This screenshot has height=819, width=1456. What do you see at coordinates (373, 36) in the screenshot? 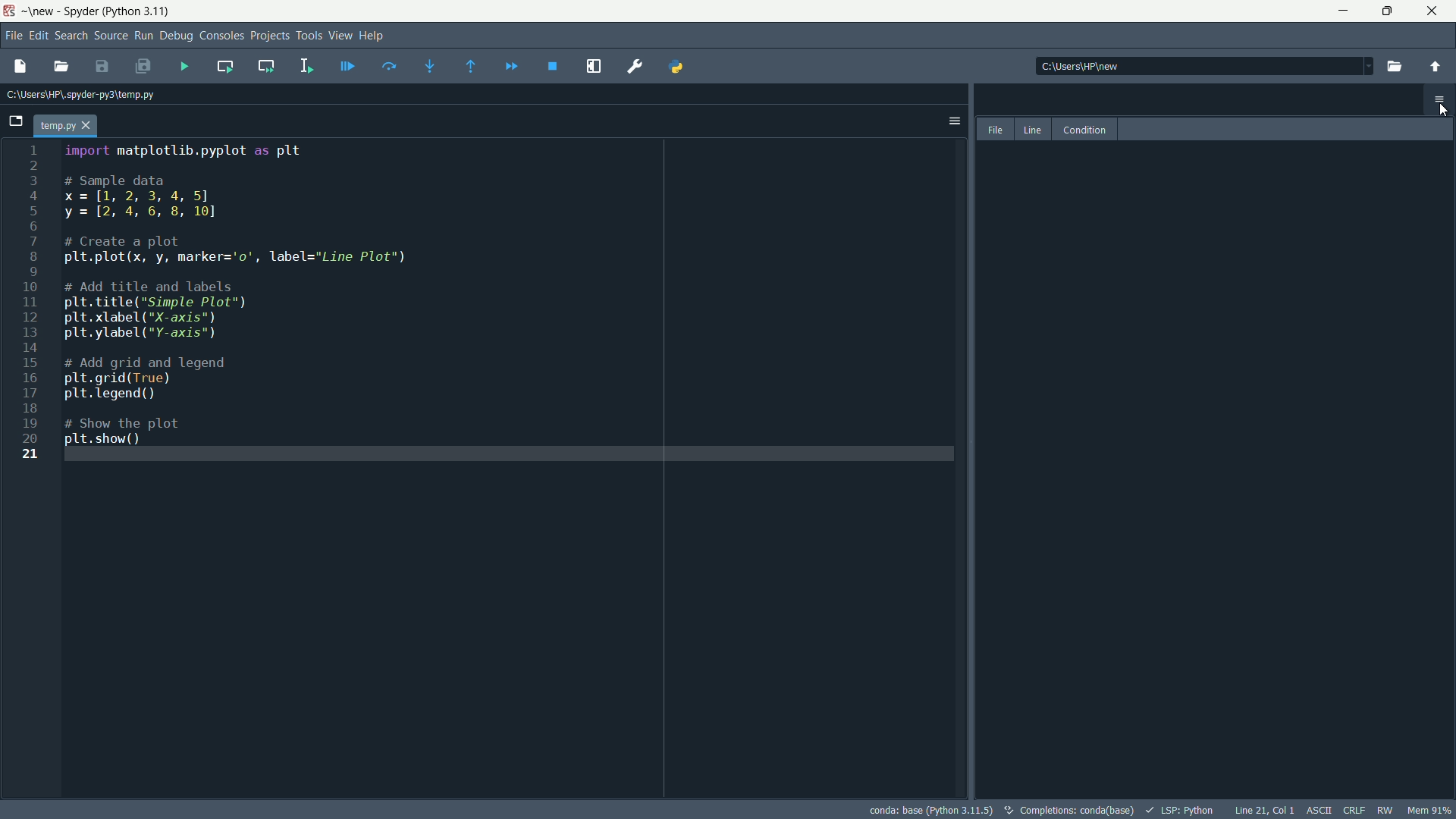
I see `help menu` at bounding box center [373, 36].